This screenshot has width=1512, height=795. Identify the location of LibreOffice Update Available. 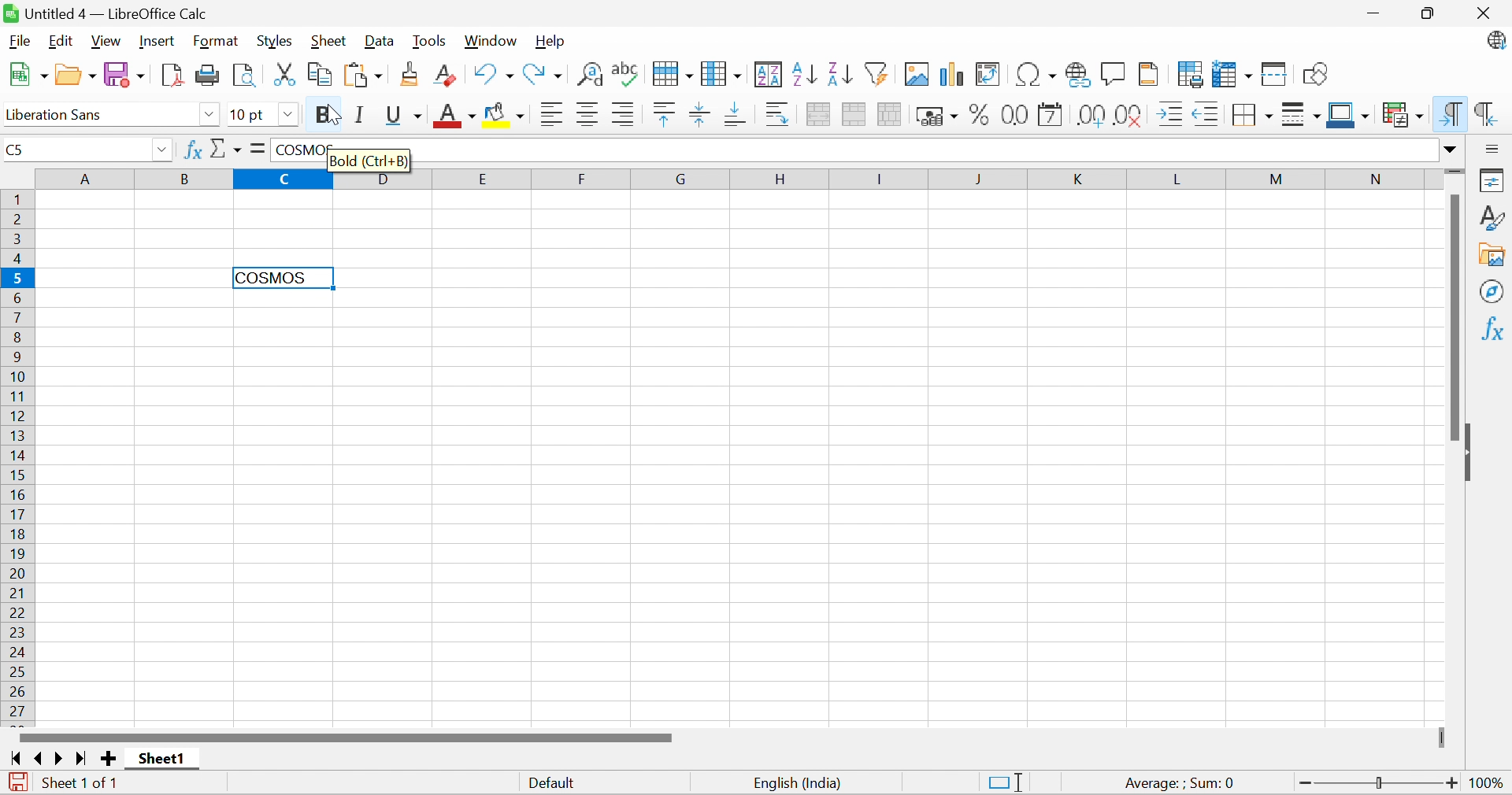
(1495, 43).